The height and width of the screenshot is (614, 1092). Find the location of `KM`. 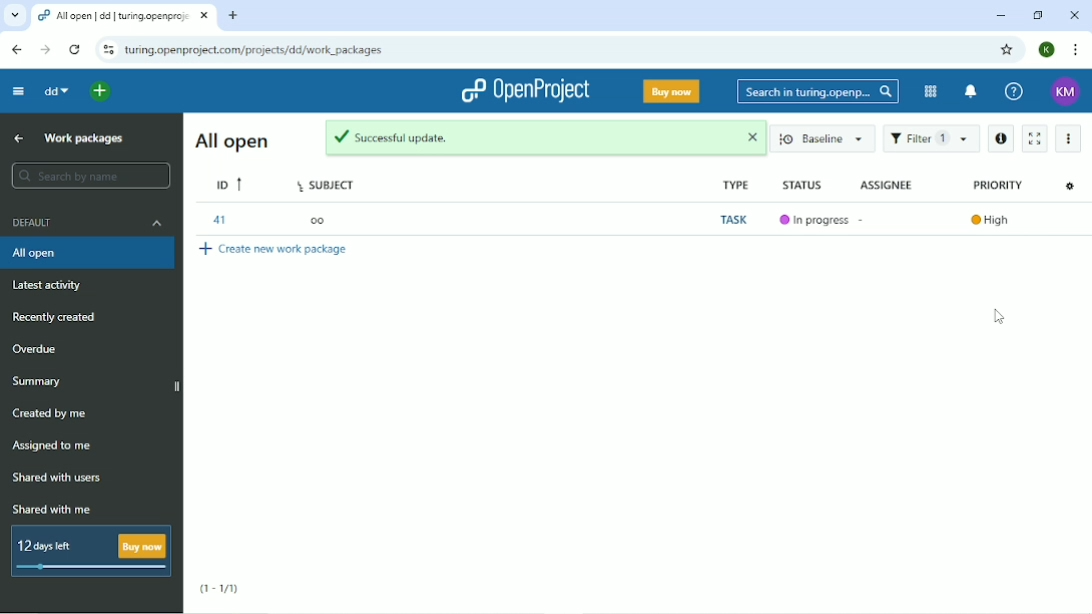

KM is located at coordinates (1066, 92).